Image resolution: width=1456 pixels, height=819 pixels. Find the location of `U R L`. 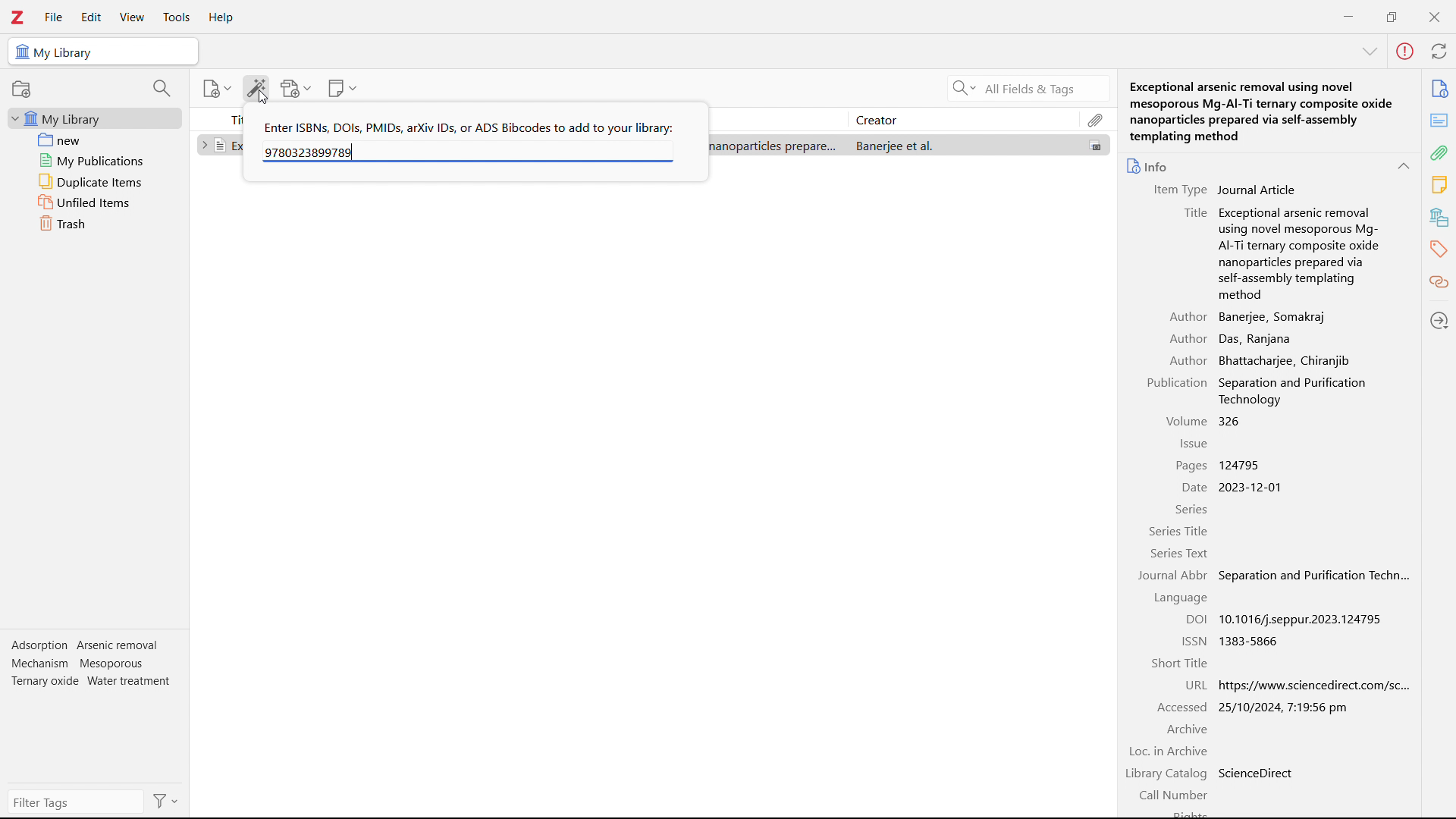

U R L is located at coordinates (1197, 685).